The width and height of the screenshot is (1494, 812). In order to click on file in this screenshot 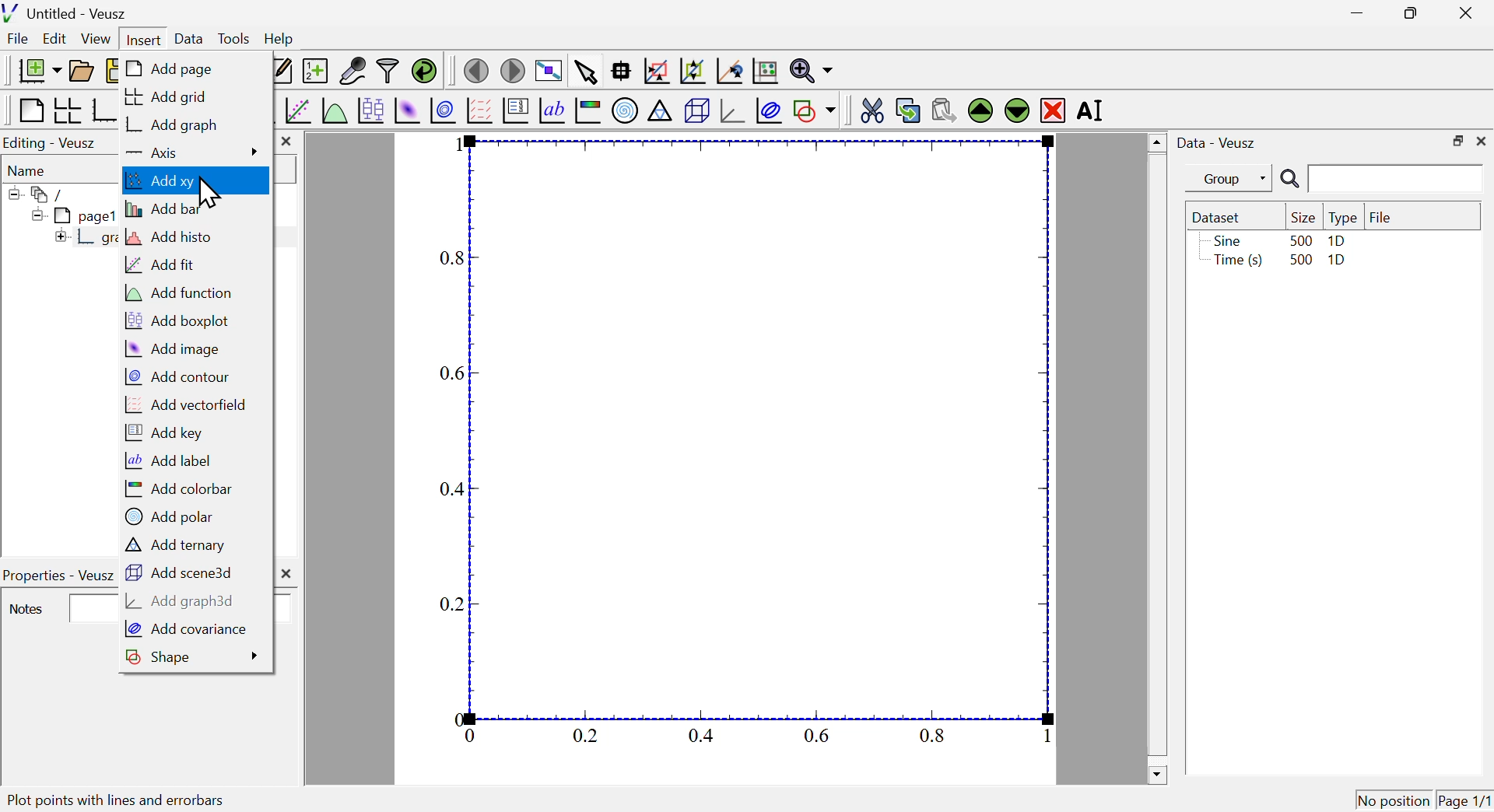, I will do `click(19, 40)`.